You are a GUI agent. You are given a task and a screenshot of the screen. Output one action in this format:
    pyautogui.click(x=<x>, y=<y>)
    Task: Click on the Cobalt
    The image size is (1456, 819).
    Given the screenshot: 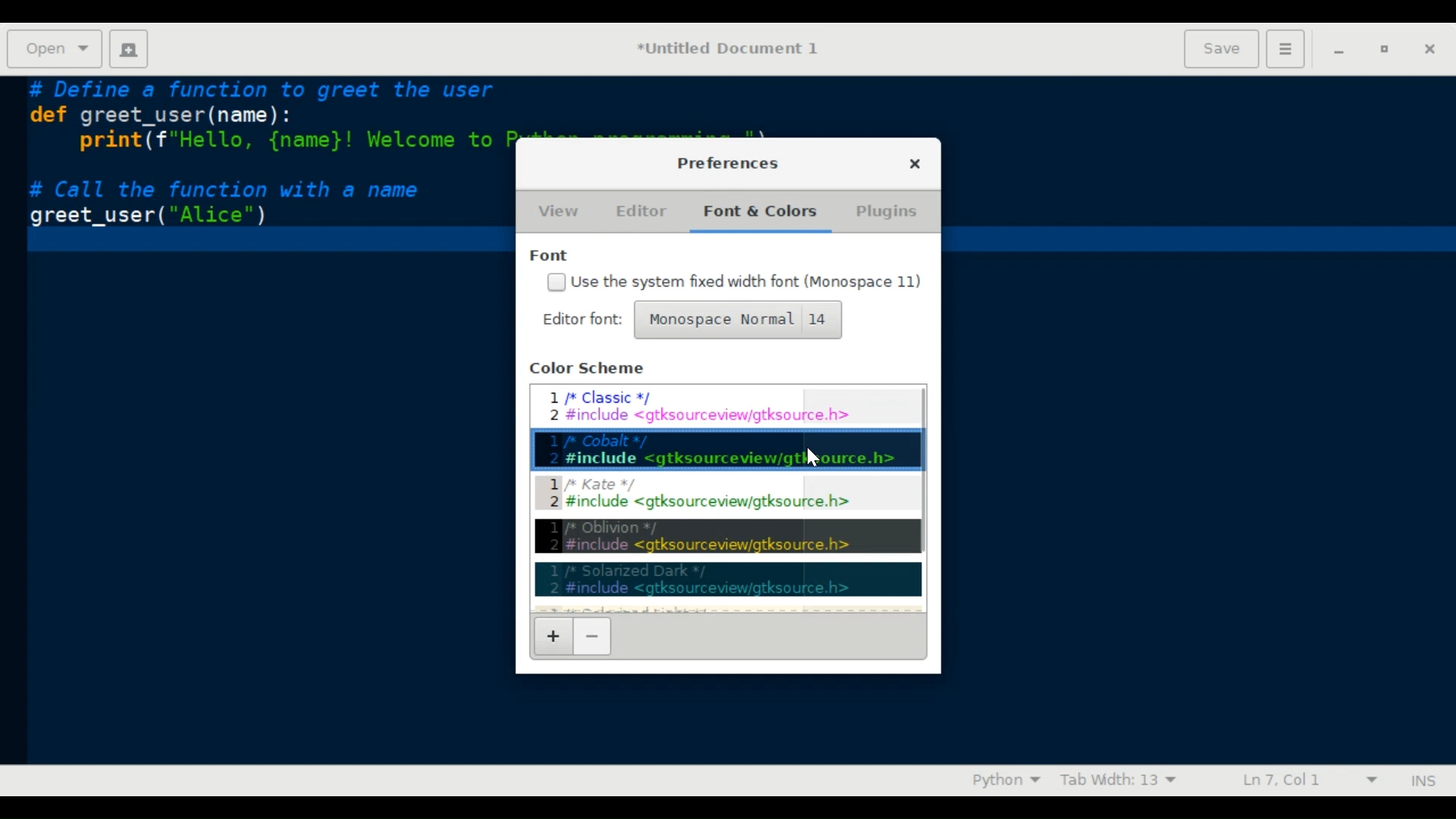 What is the action you would take?
    pyautogui.click(x=727, y=450)
    